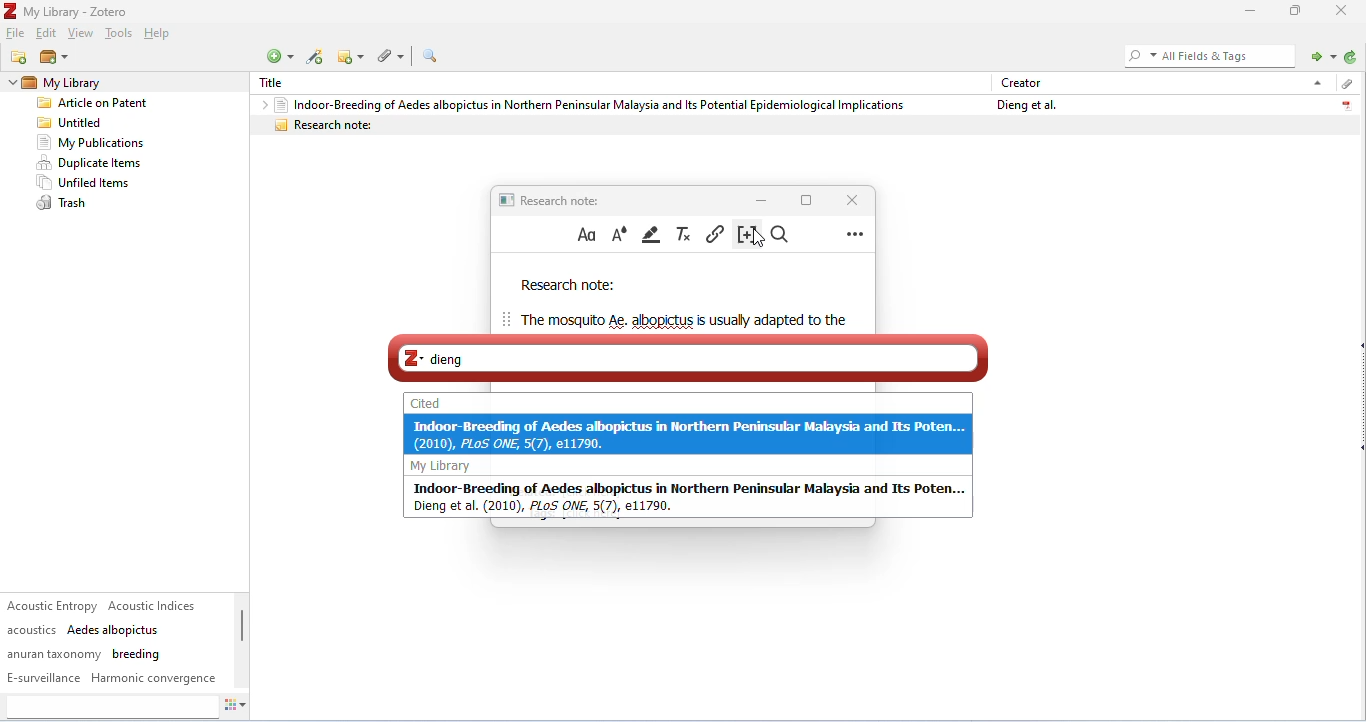 The image size is (1366, 722). Describe the element at coordinates (242, 636) in the screenshot. I see `vertical scroll bar` at that location.